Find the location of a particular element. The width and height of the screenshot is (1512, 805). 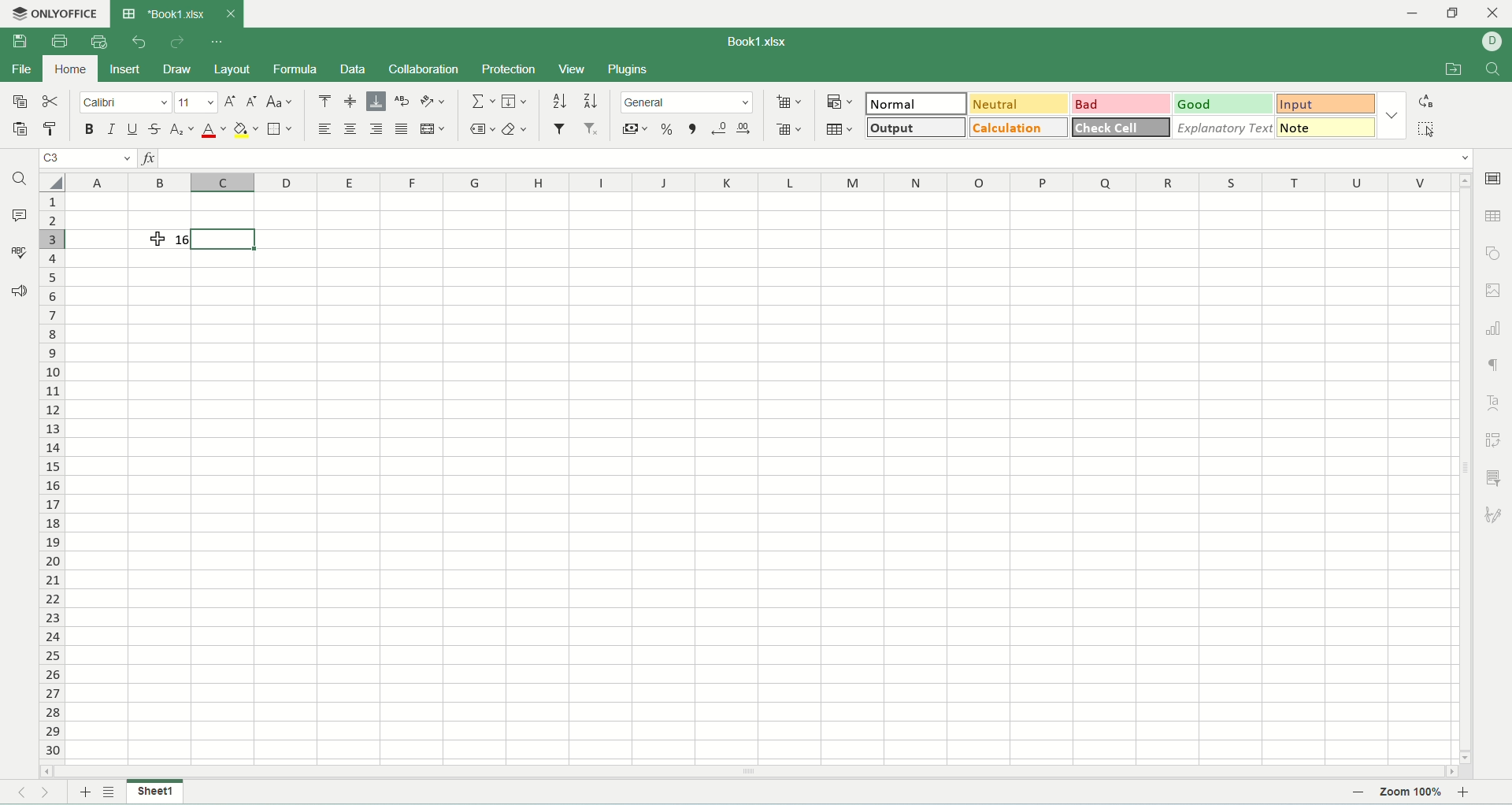

save is located at coordinates (19, 42).